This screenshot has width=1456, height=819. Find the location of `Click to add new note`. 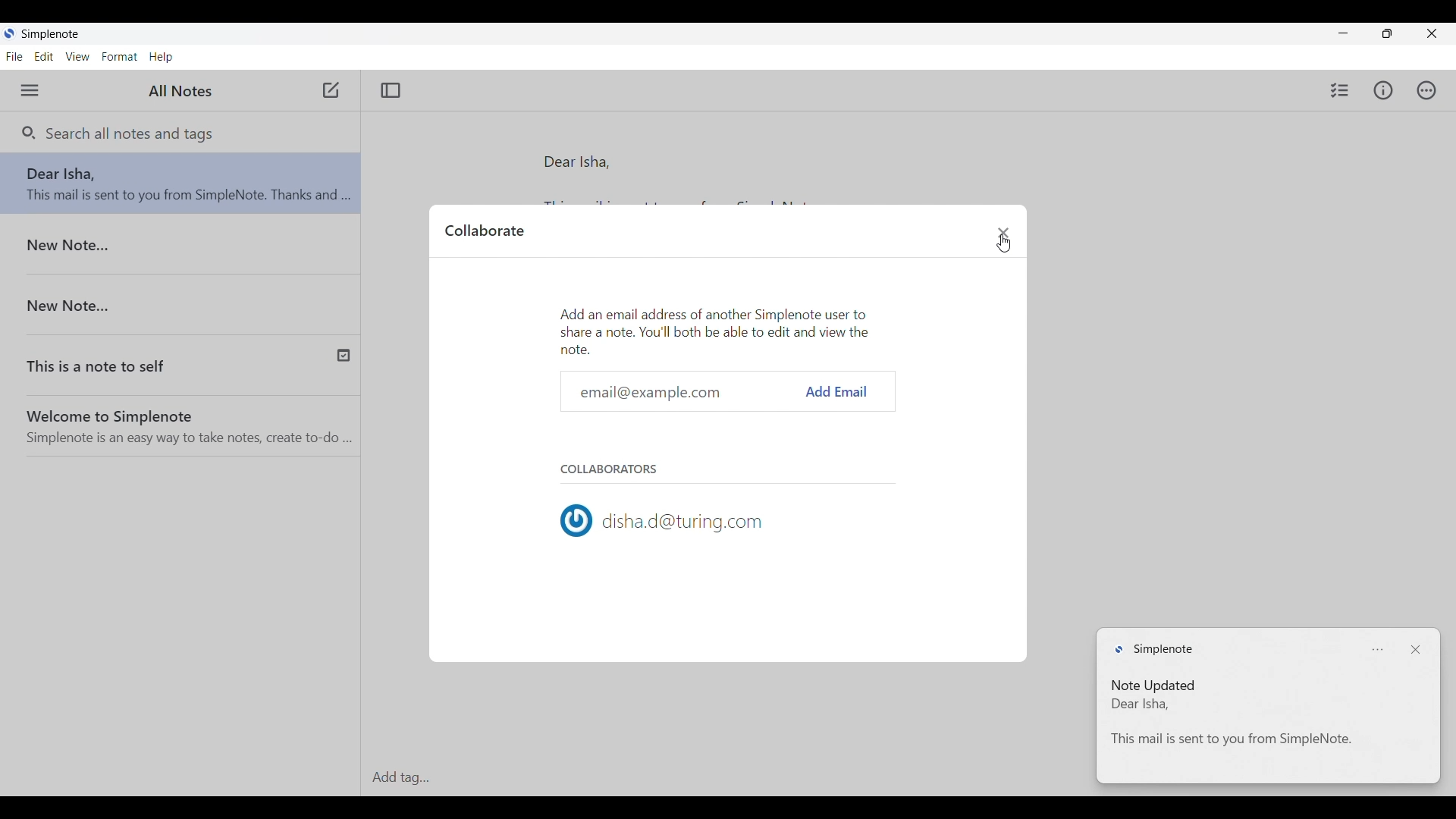

Click to add new note is located at coordinates (330, 90).